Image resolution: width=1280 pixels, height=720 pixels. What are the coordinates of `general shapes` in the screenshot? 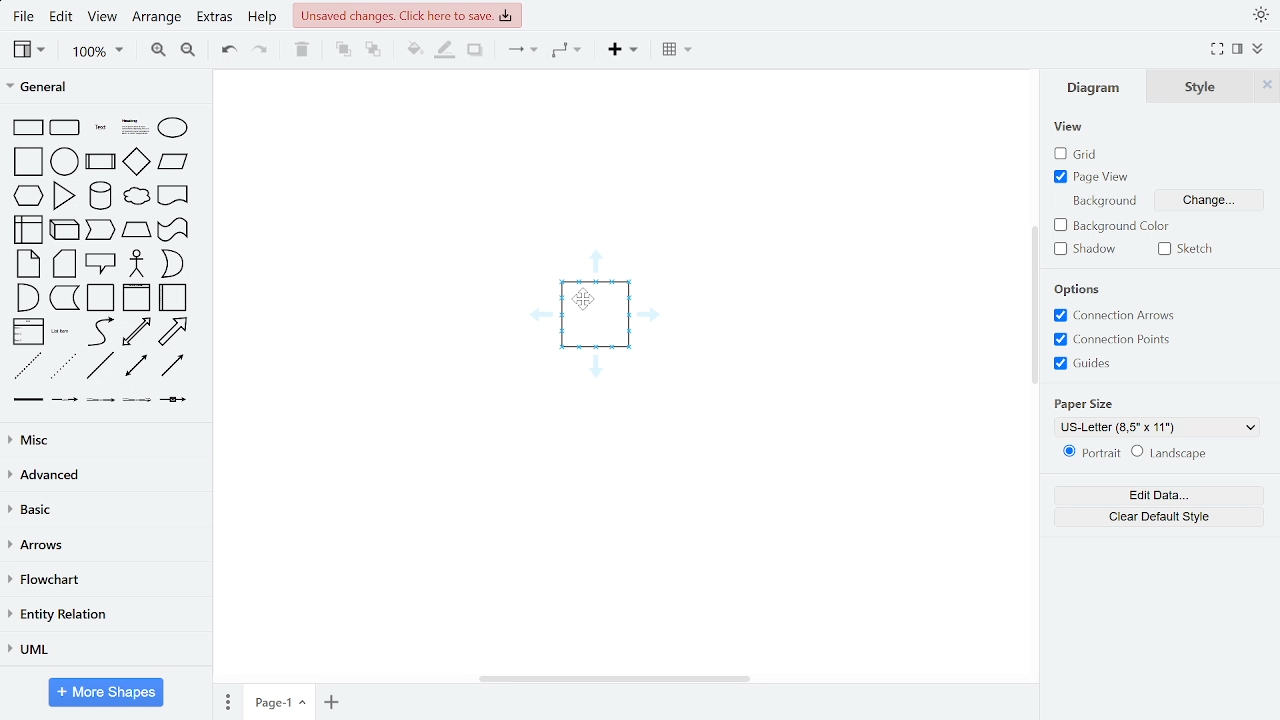 It's located at (99, 330).